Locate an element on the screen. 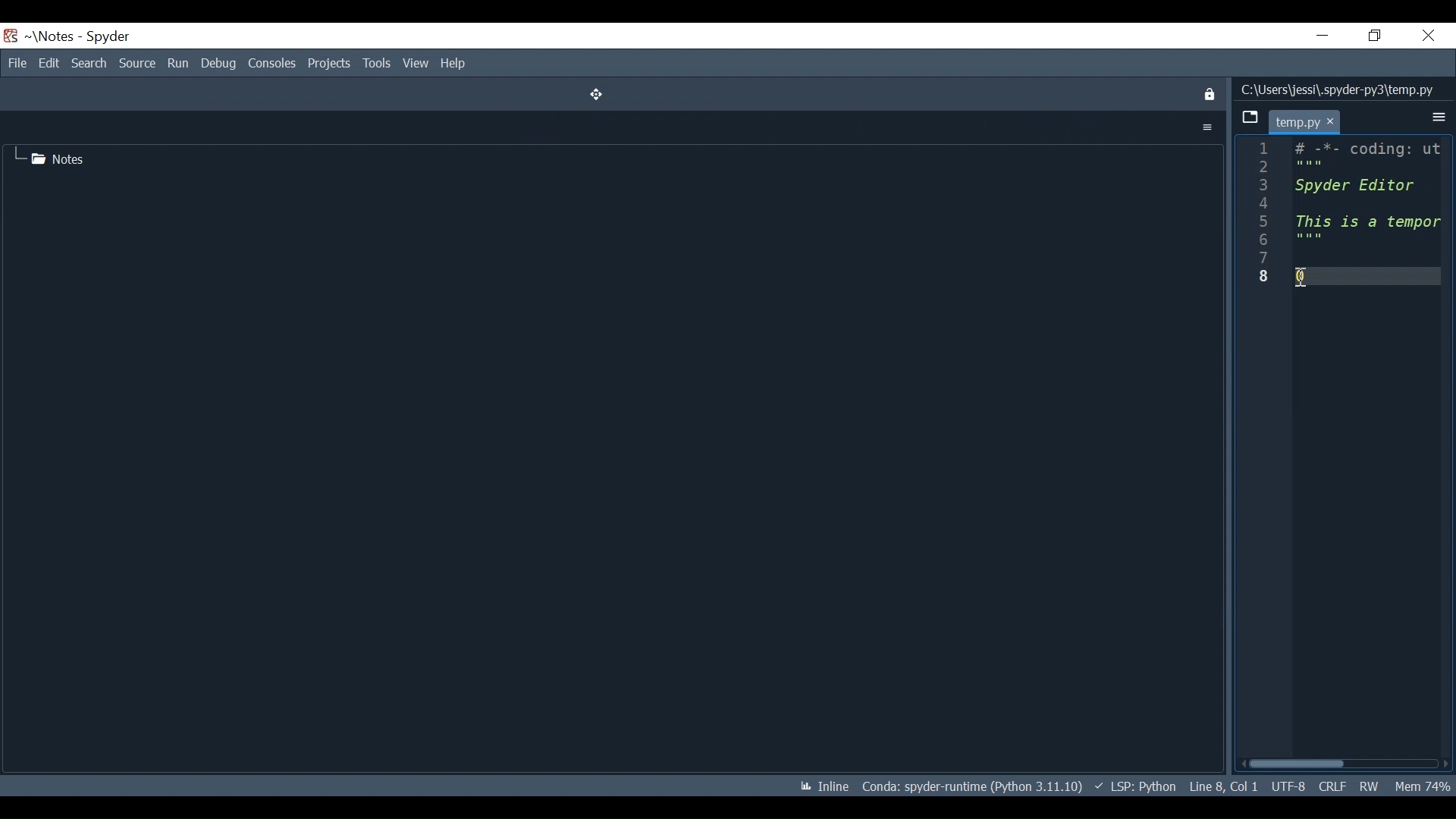 The width and height of the screenshot is (1456, 819). Mem 74% is located at coordinates (1422, 784).